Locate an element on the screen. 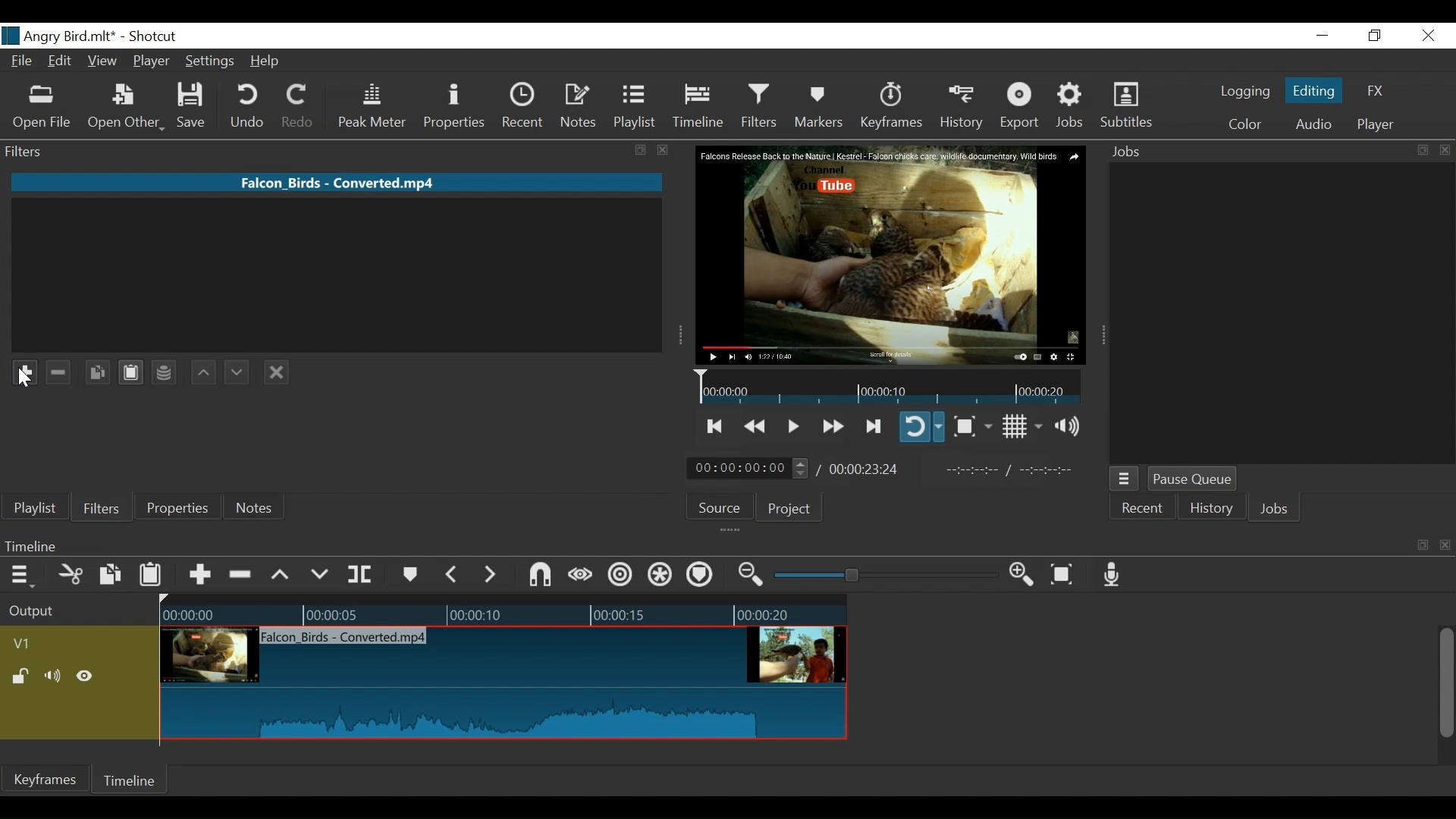 This screenshot has width=1456, height=819. Redo is located at coordinates (299, 106).